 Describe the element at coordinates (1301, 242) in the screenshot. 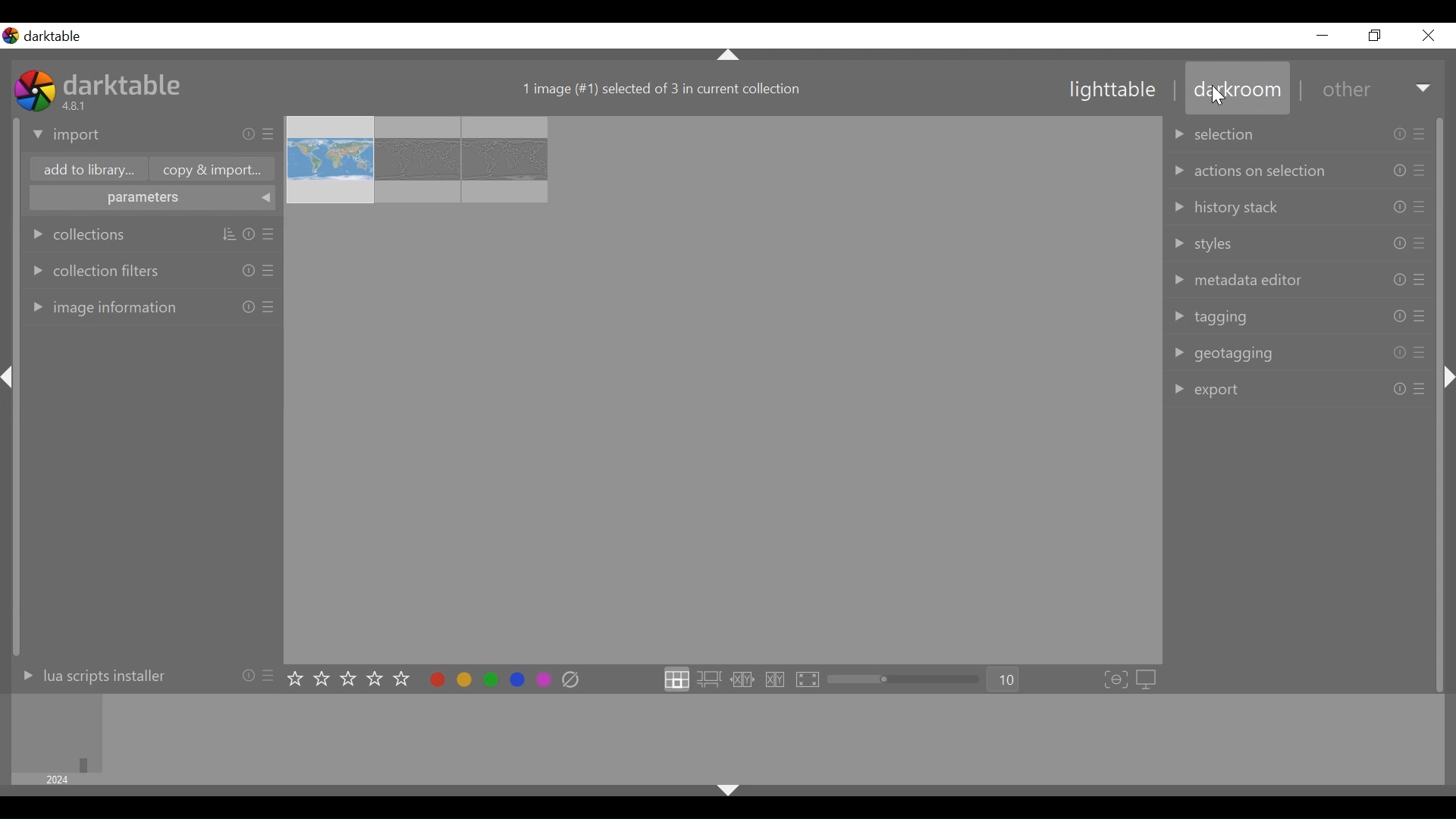

I see `styles` at that location.